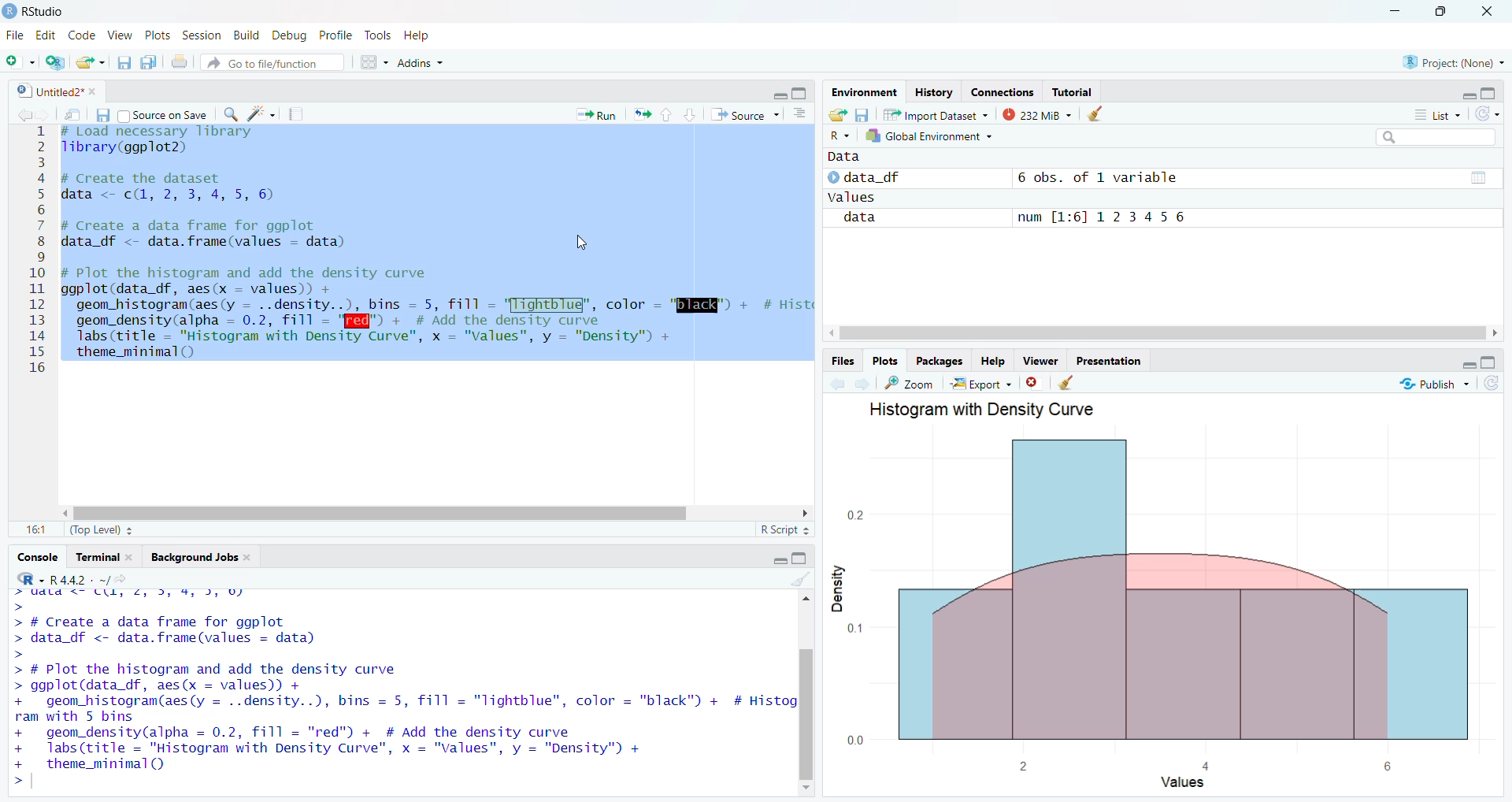 The width and height of the screenshot is (1512, 802). What do you see at coordinates (980, 384) in the screenshot?
I see `export` at bounding box center [980, 384].